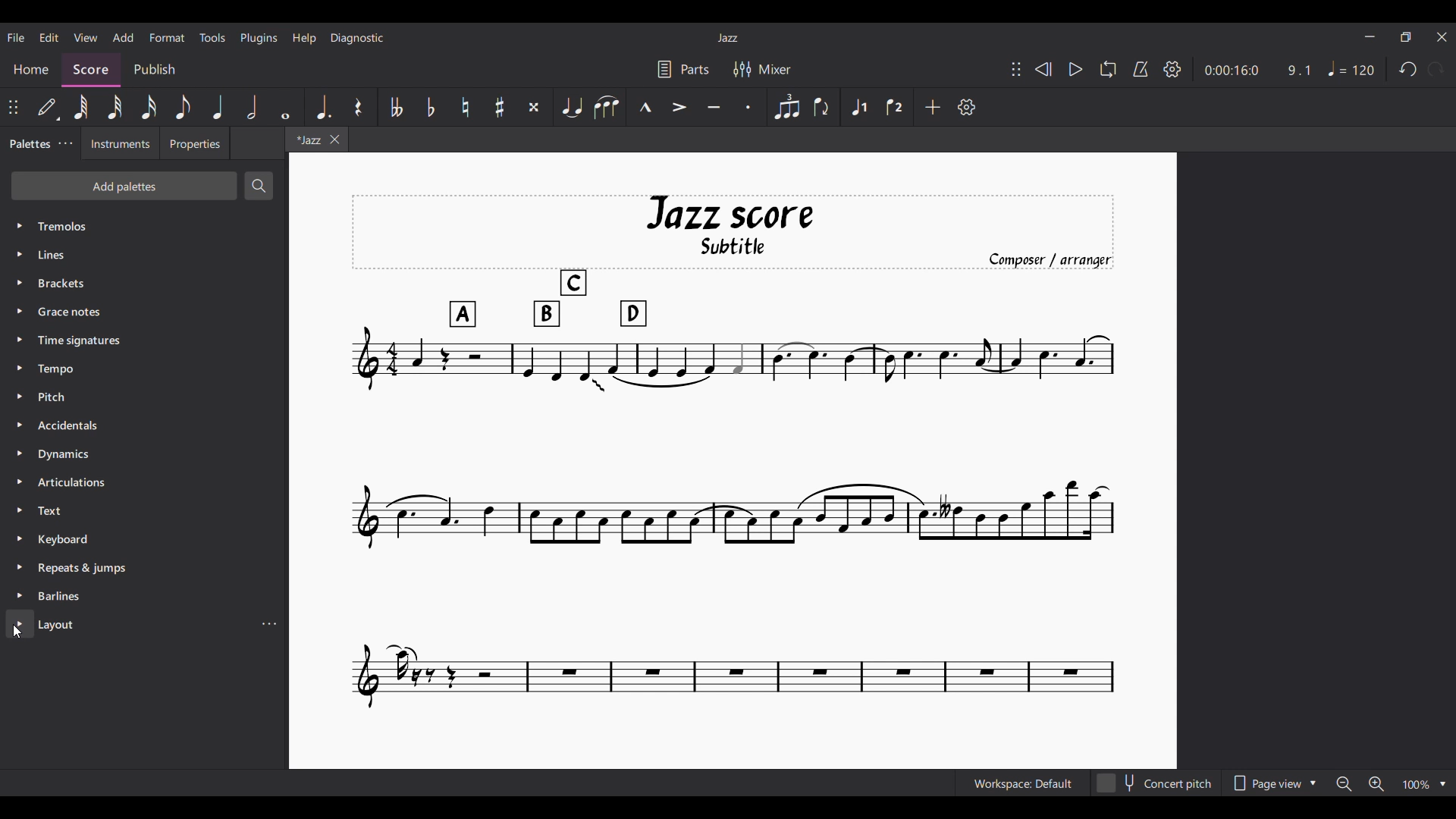 The width and height of the screenshot is (1456, 819). Describe the element at coordinates (184, 107) in the screenshot. I see `8th note` at that location.